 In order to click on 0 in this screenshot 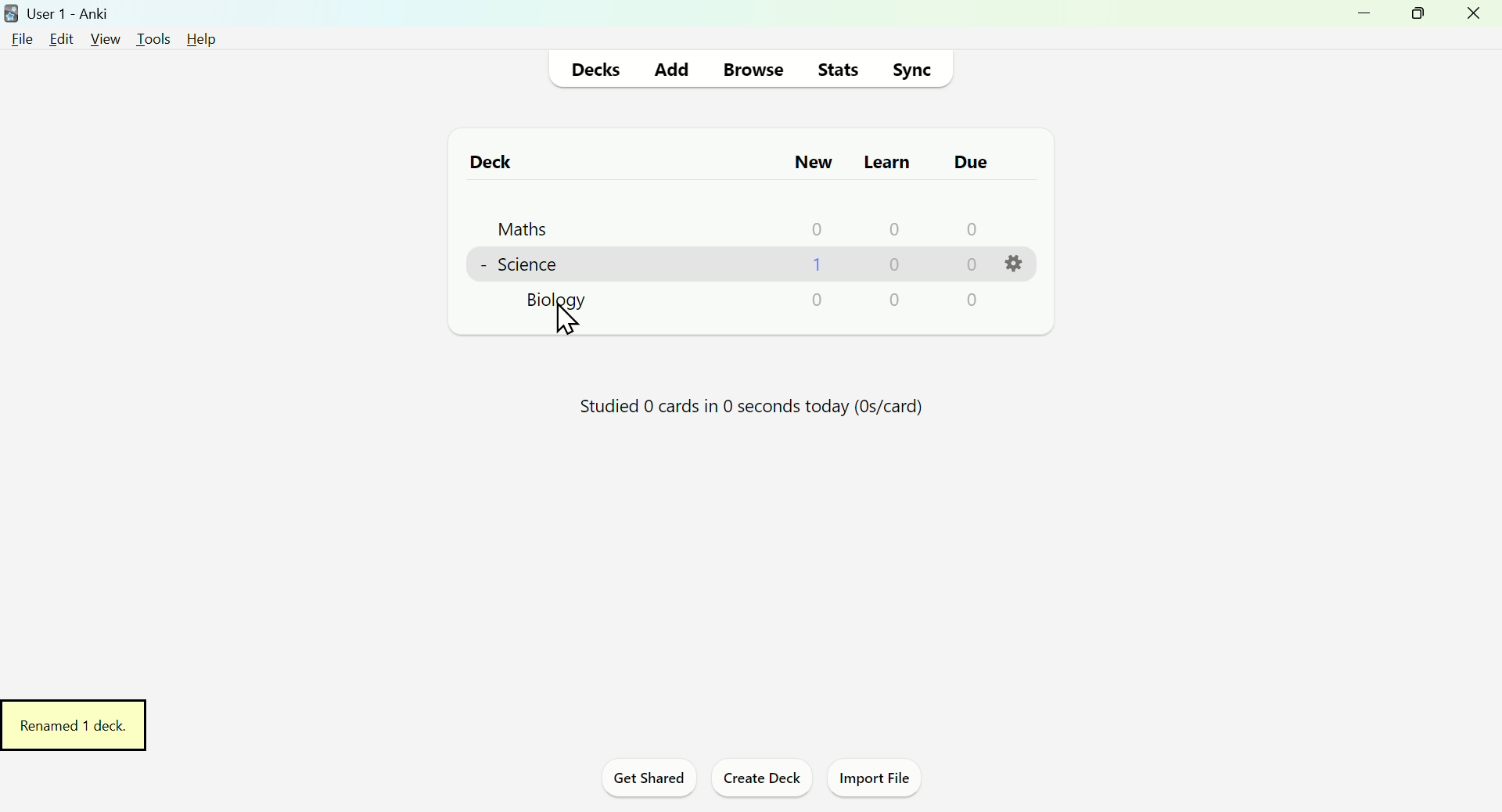, I will do `click(893, 228)`.